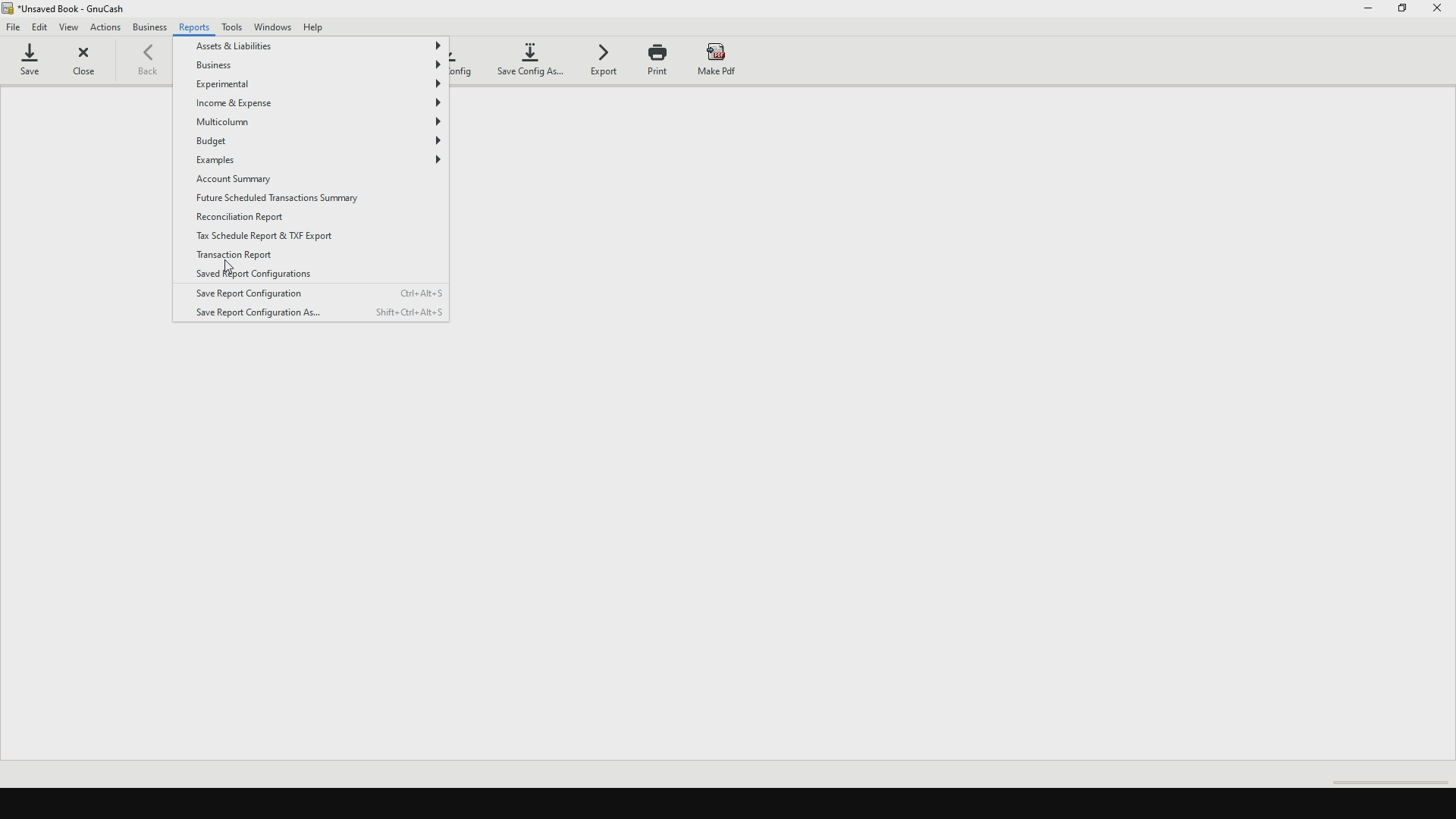 The height and width of the screenshot is (819, 1456). Describe the element at coordinates (247, 218) in the screenshot. I see `reconciliation report` at that location.